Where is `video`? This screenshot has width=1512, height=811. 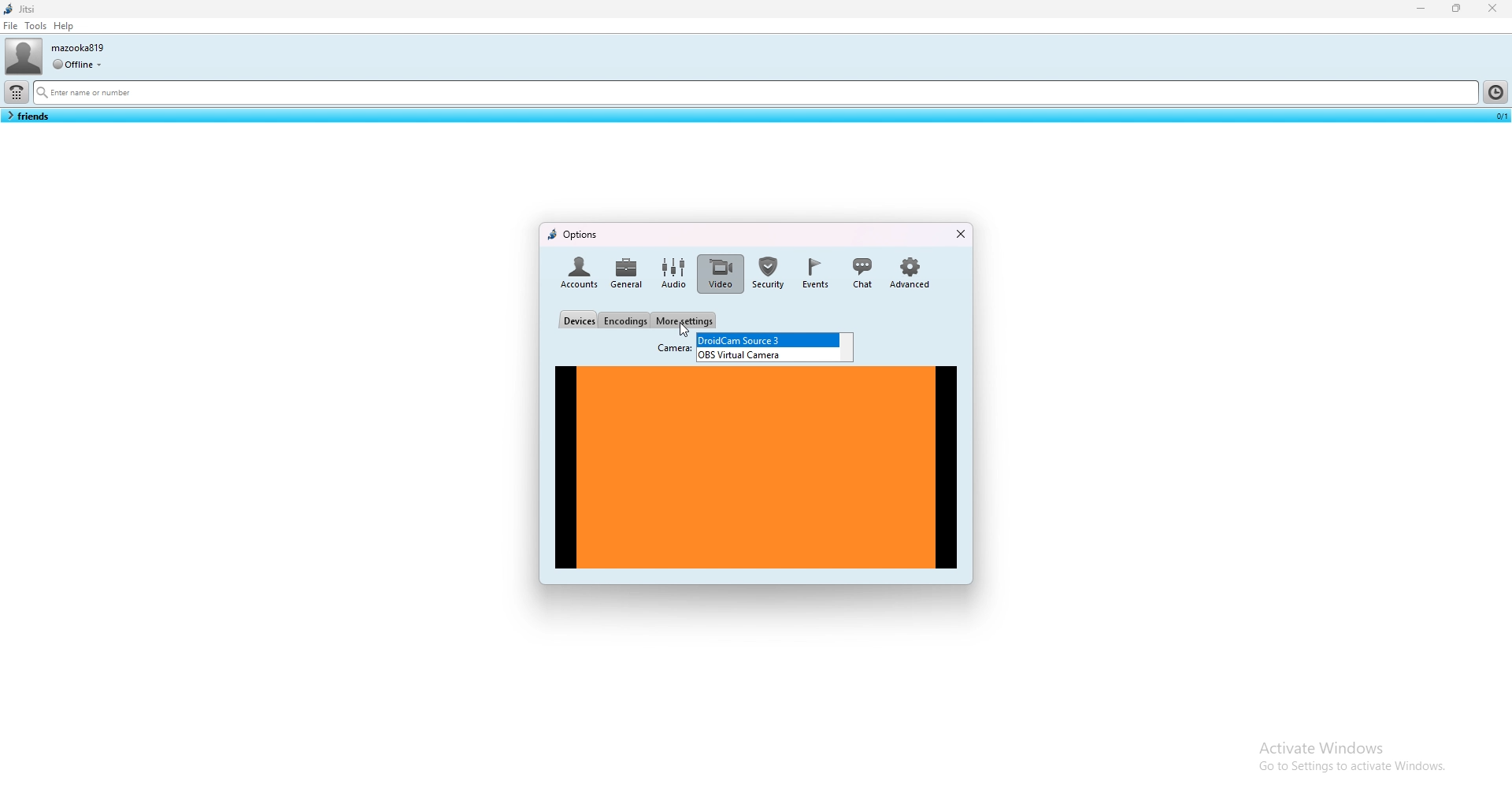 video is located at coordinates (718, 274).